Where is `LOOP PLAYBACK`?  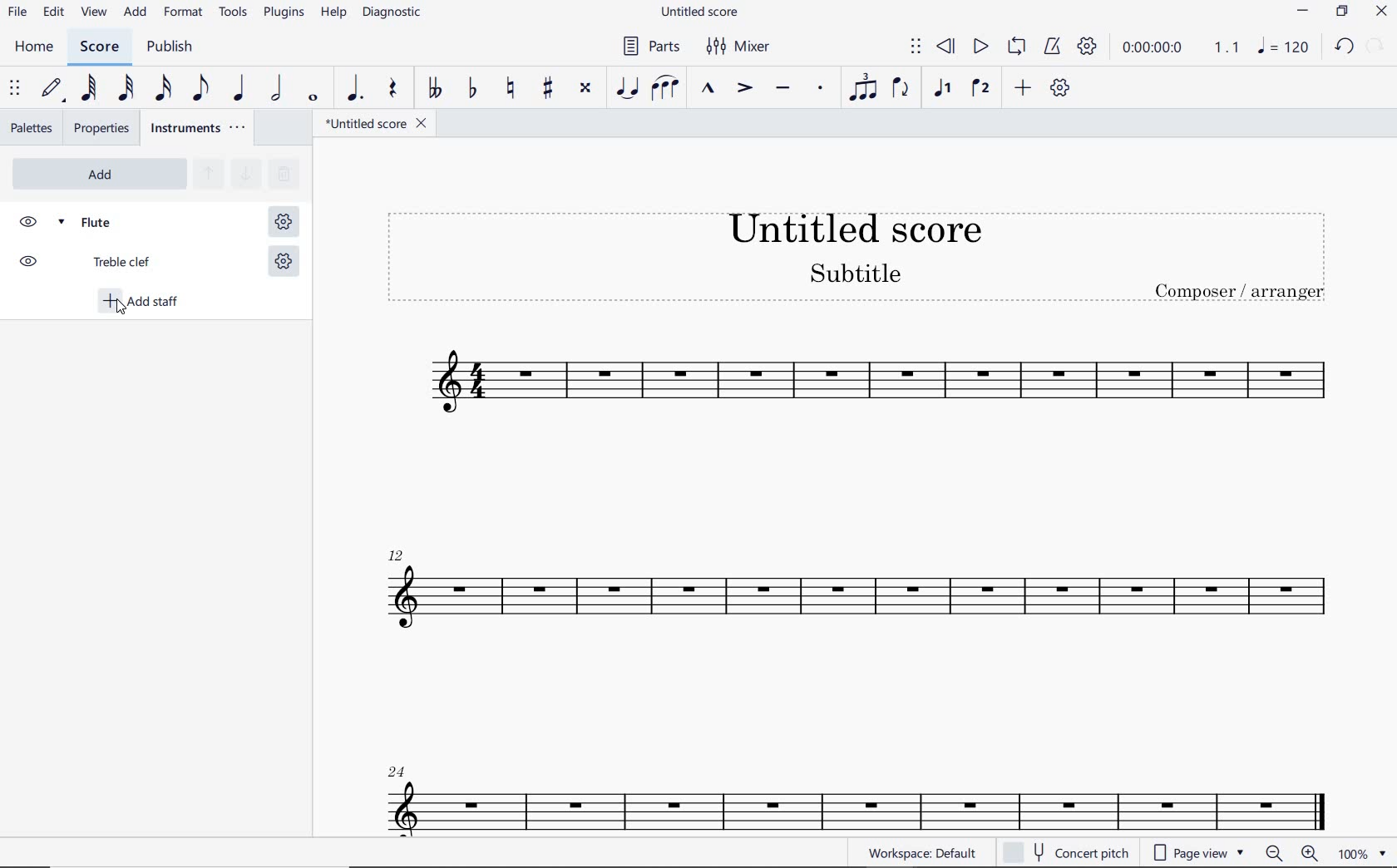
LOOP PLAYBACK is located at coordinates (1015, 50).